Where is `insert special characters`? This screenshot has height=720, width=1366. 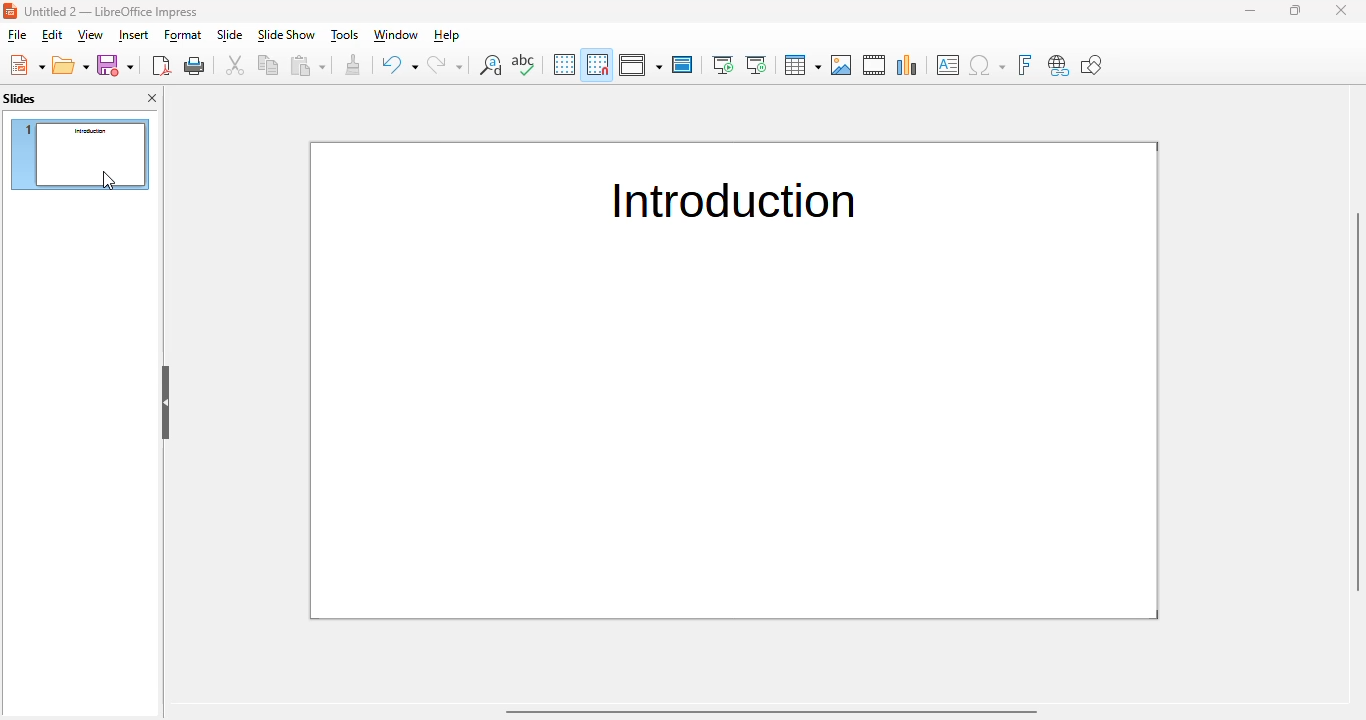 insert special characters is located at coordinates (987, 65).